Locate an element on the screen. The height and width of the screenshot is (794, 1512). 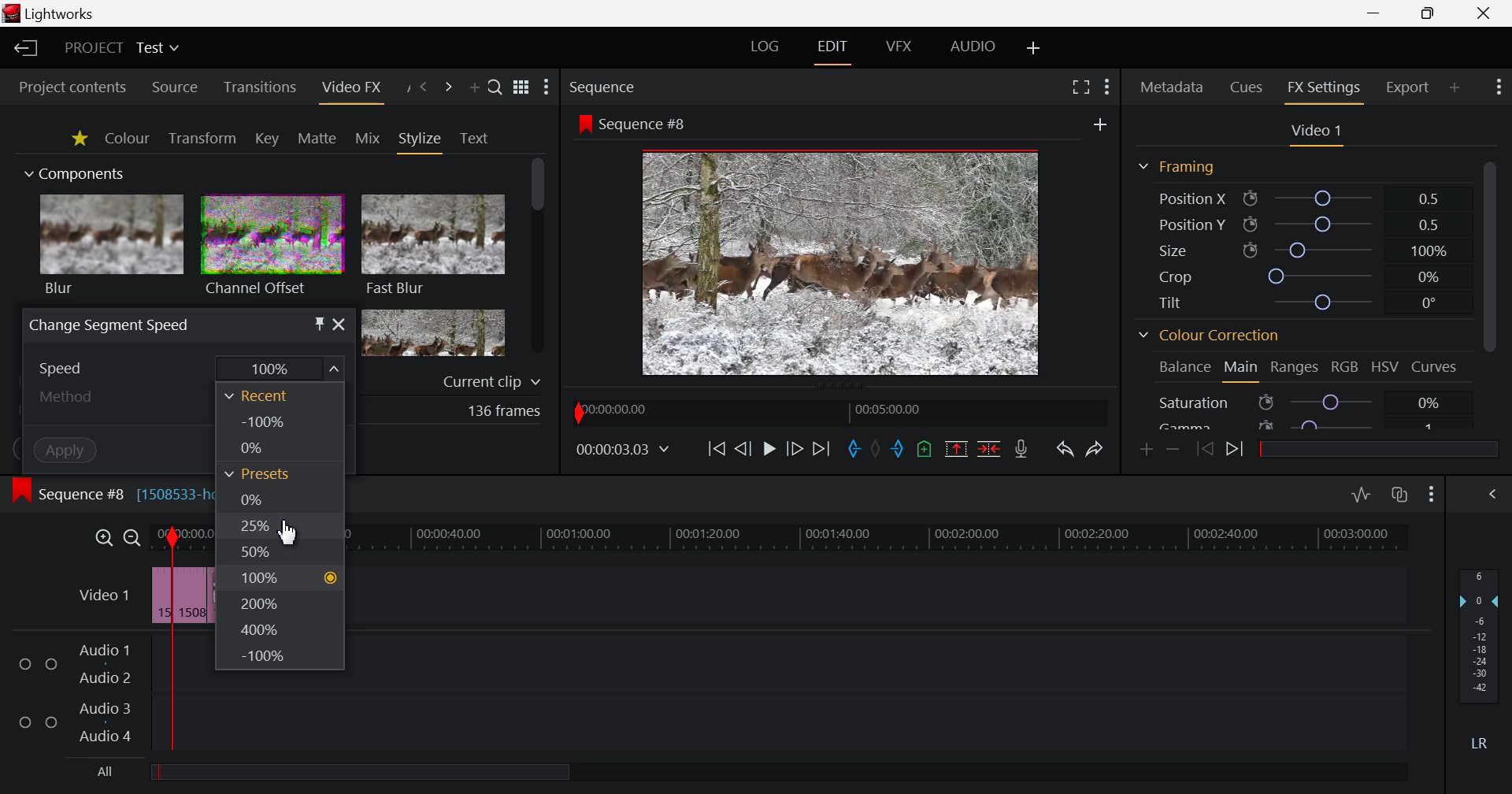
100% is located at coordinates (279, 577).